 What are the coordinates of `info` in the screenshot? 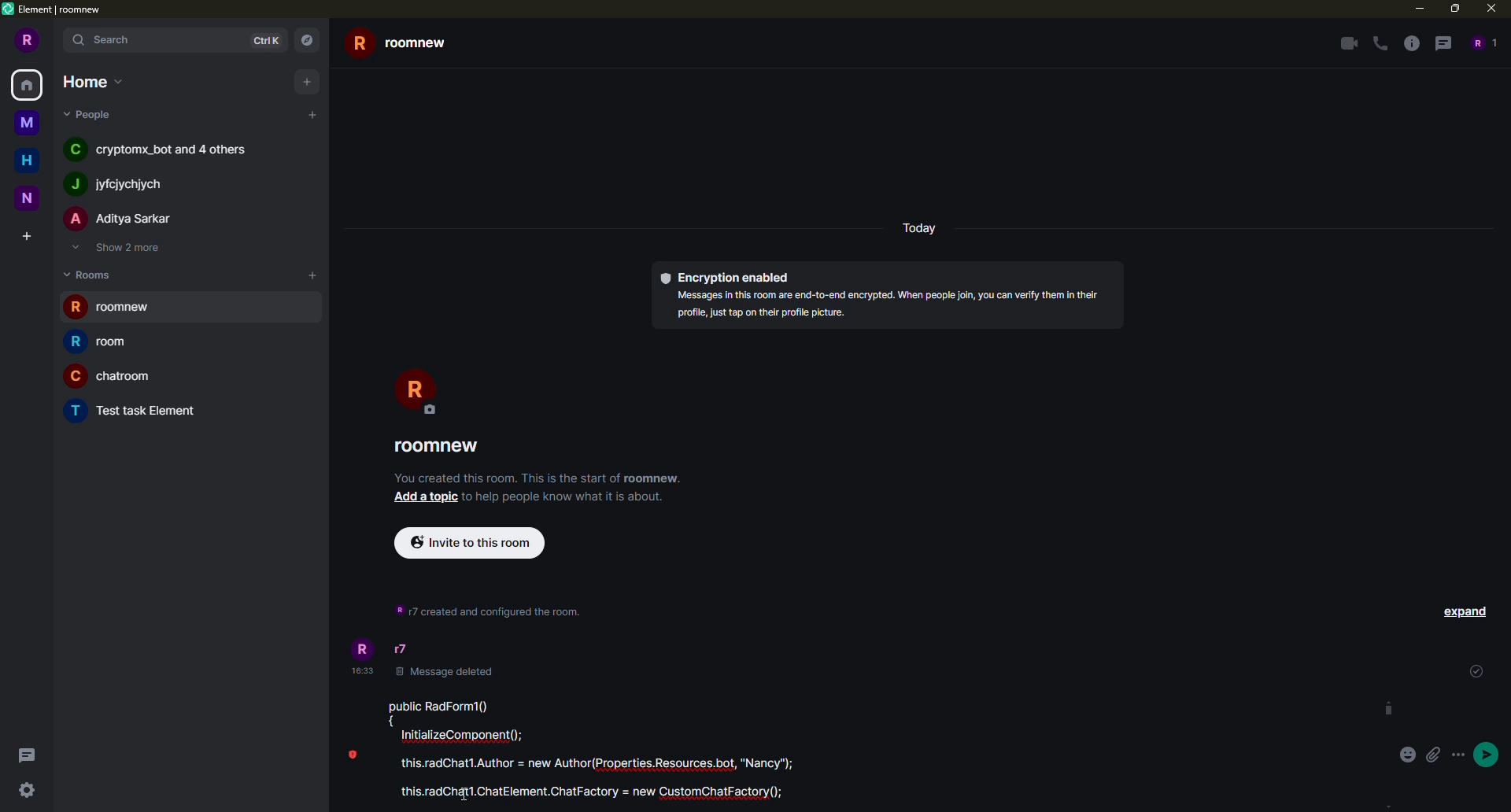 It's located at (534, 476).